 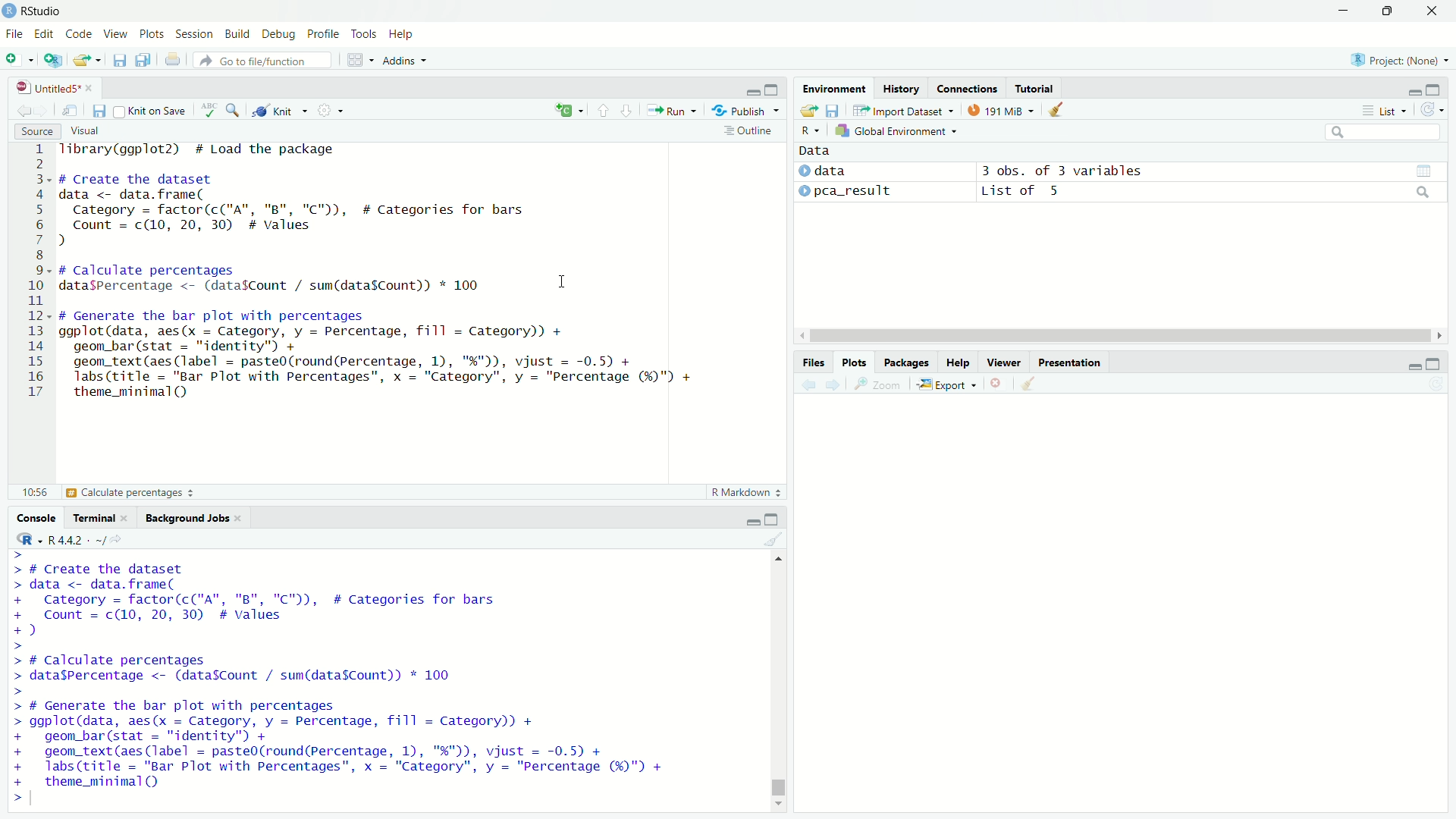 I want to click on help, so click(x=403, y=35).